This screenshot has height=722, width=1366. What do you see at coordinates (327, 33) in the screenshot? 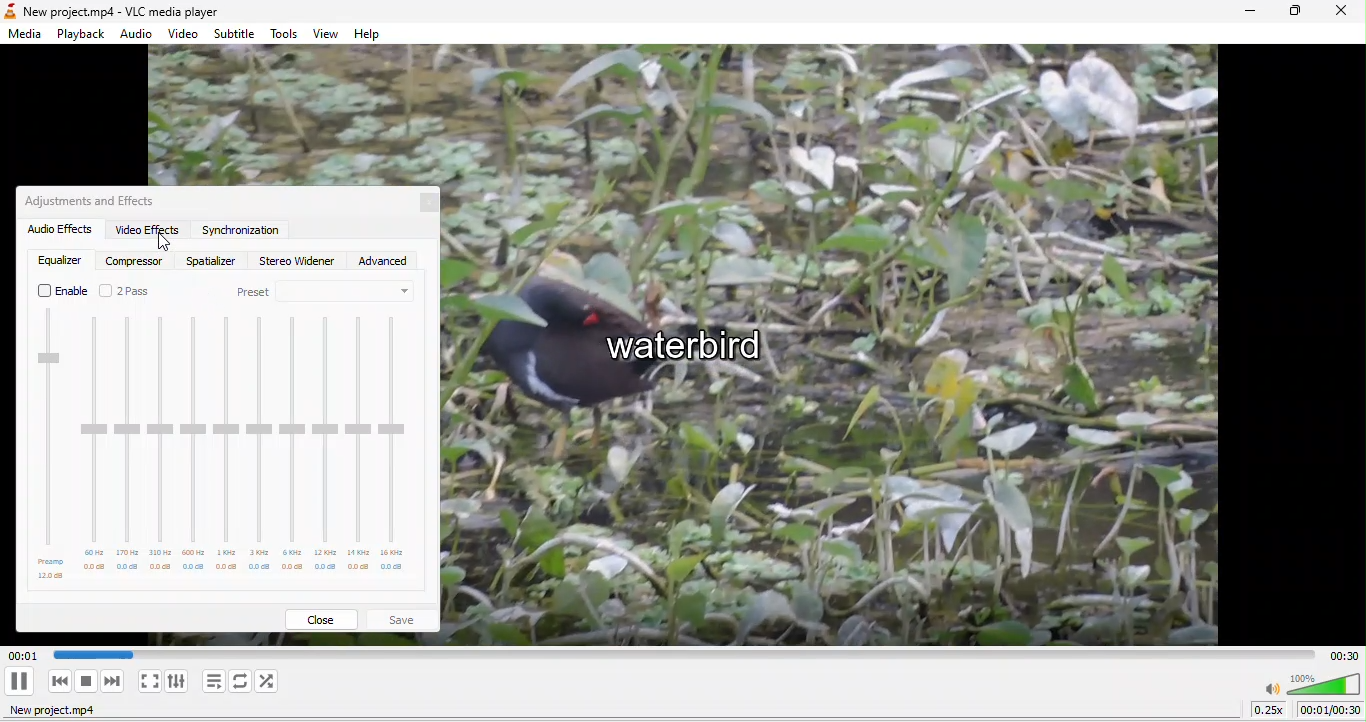
I see `view` at bounding box center [327, 33].